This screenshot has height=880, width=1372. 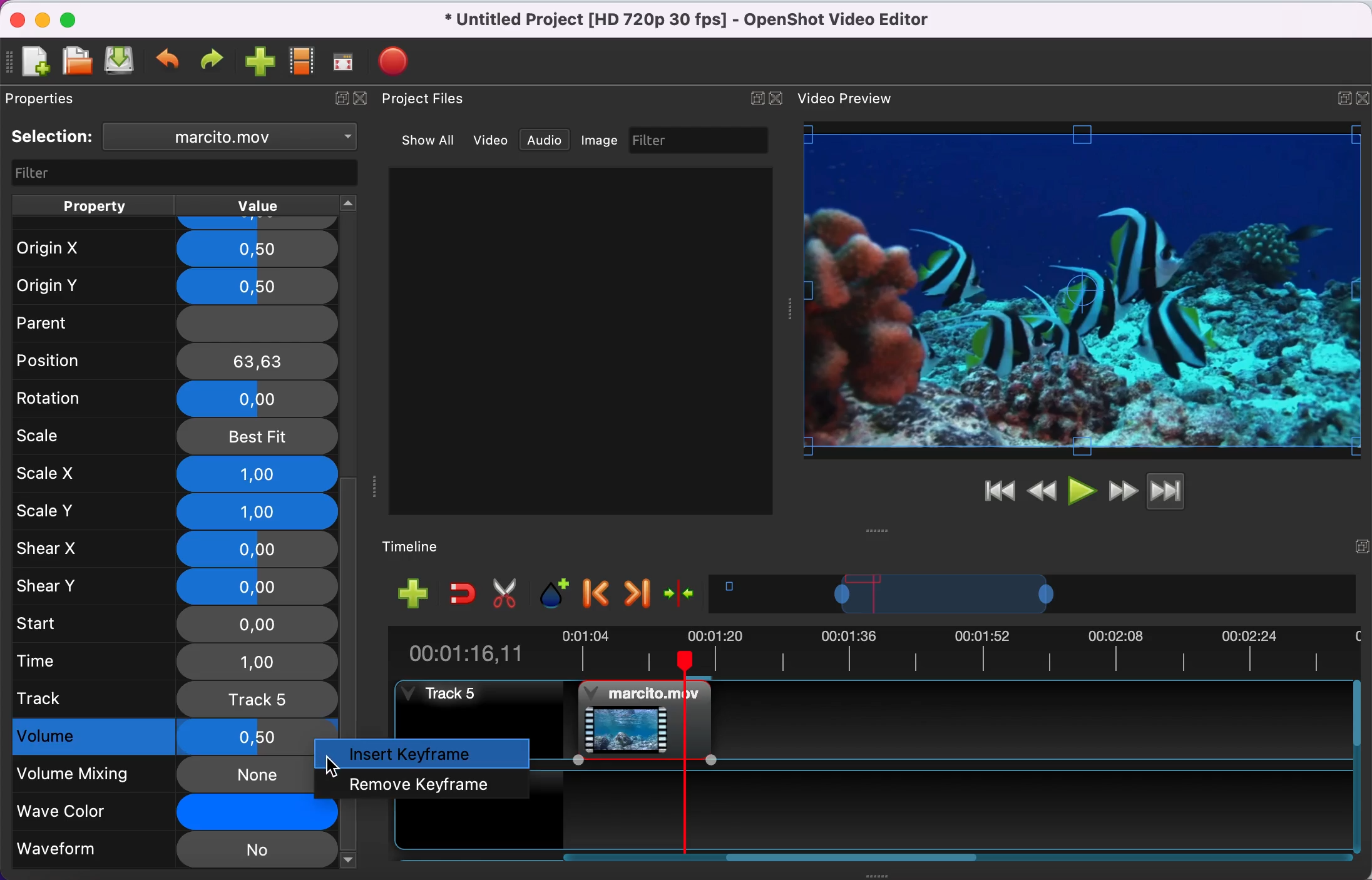 What do you see at coordinates (170, 398) in the screenshot?
I see `rotation 0` at bounding box center [170, 398].